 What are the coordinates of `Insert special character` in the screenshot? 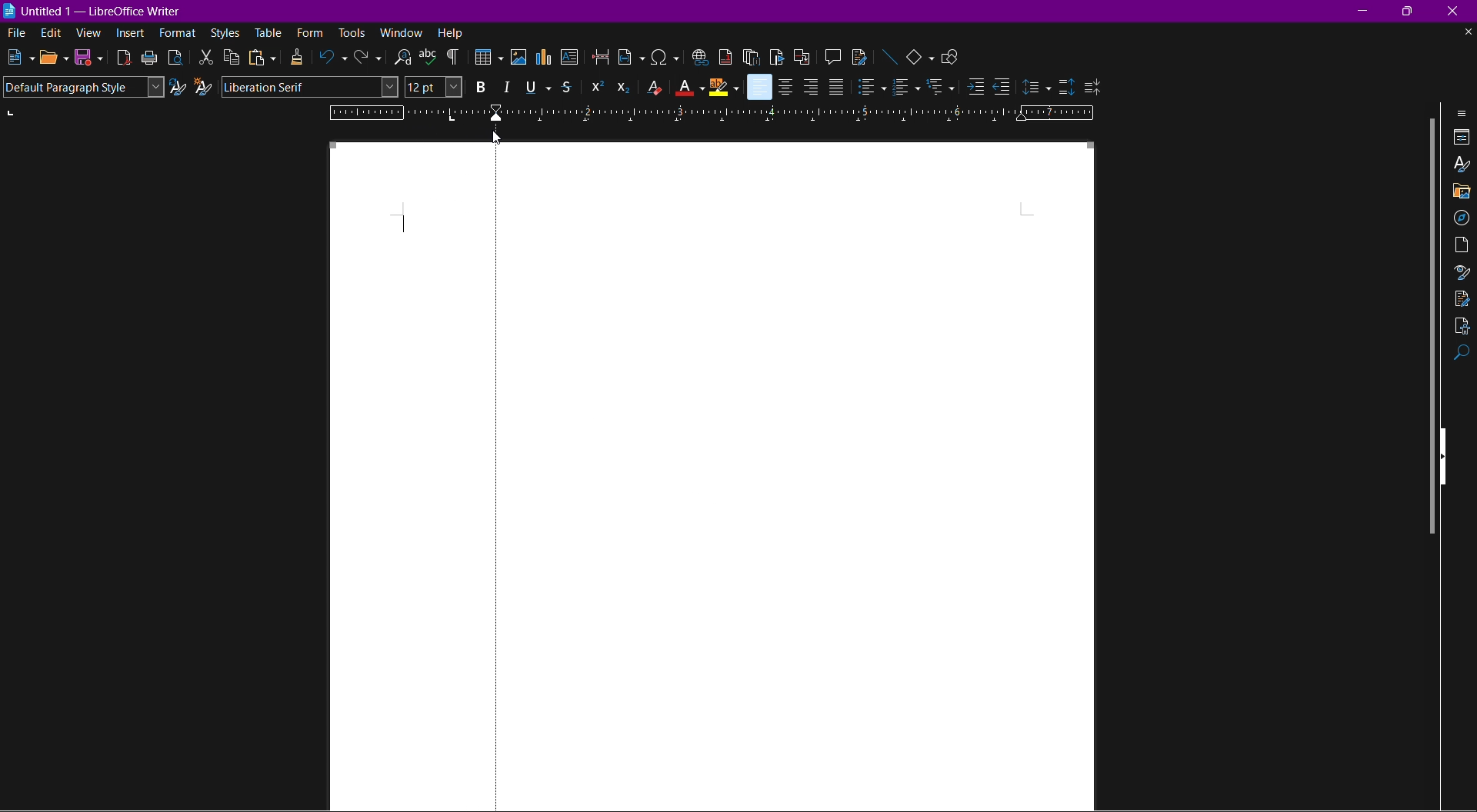 It's located at (665, 56).